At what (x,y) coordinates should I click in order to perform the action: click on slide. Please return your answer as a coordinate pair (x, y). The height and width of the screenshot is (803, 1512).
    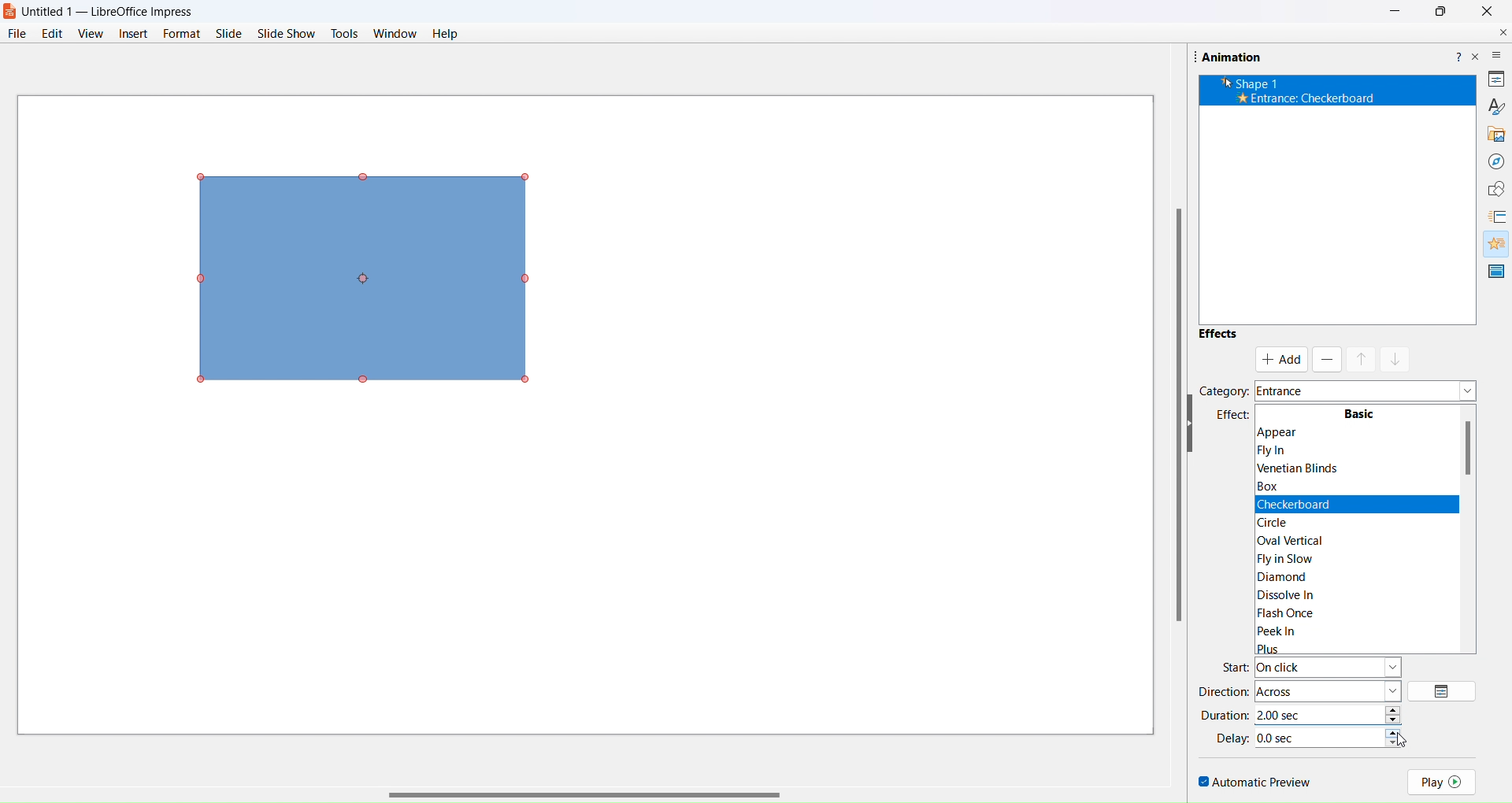
    Looking at the image, I should click on (228, 34).